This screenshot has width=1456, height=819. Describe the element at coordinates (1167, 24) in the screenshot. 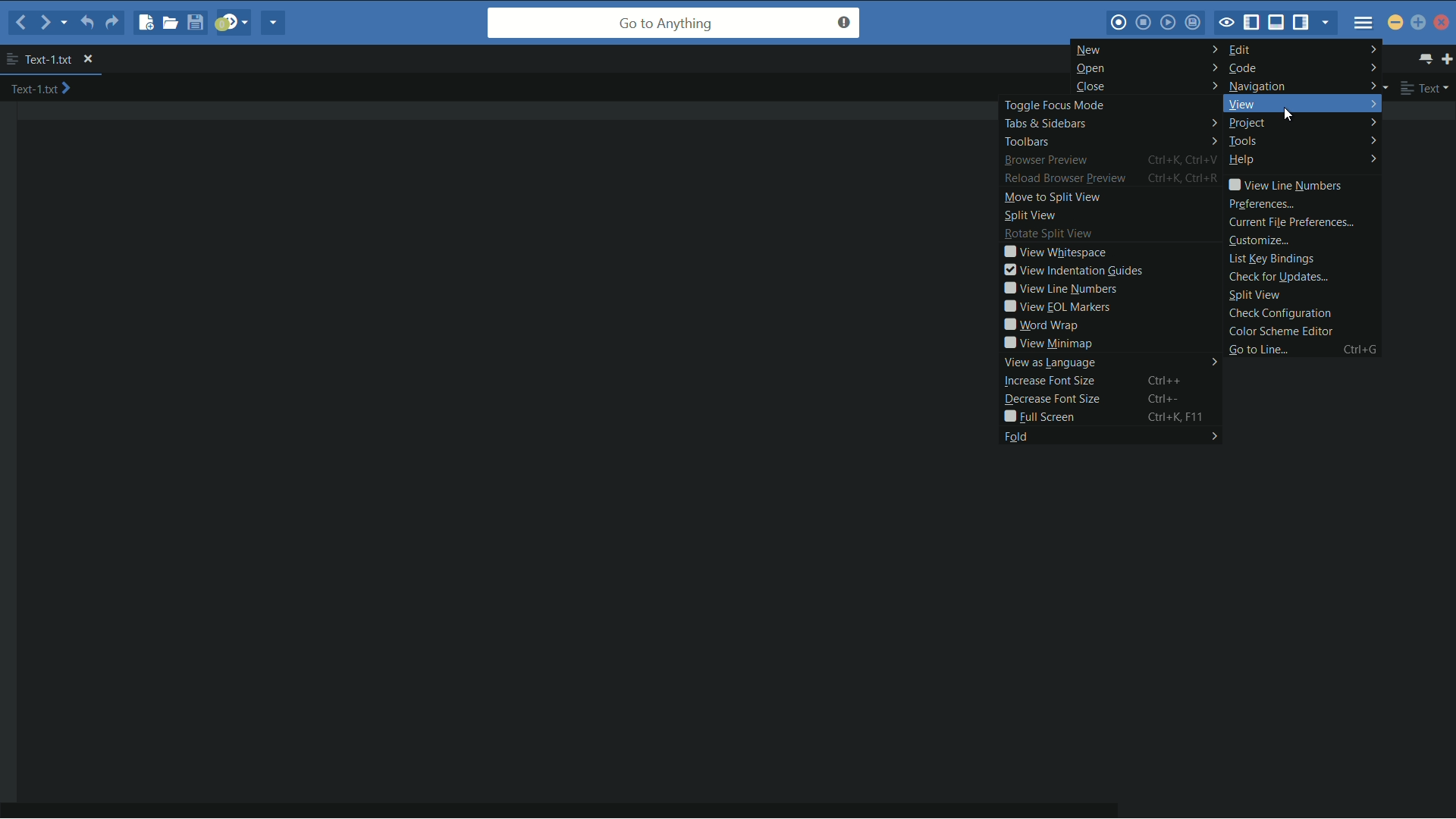

I see `play last macro` at that location.